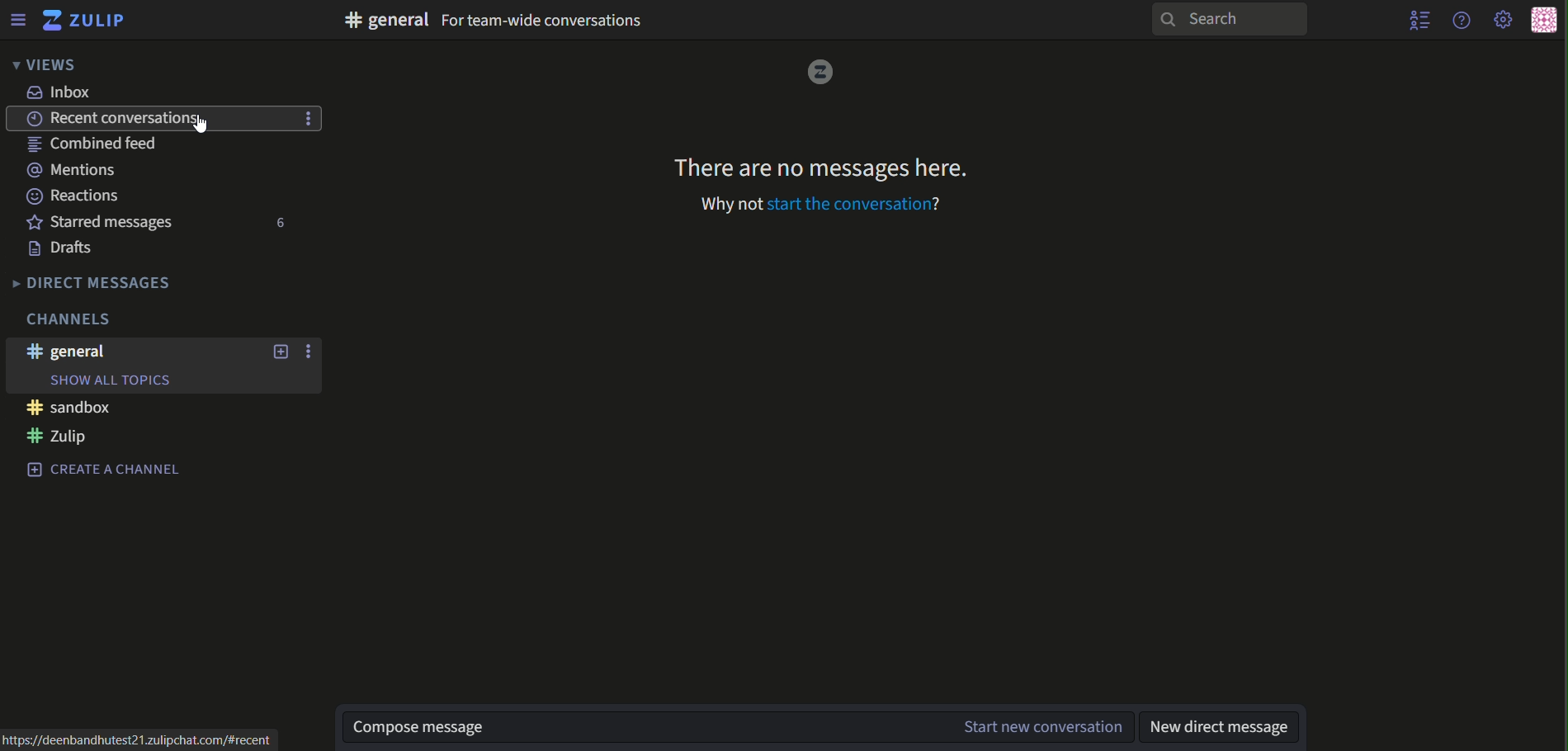 Image resolution: width=1568 pixels, height=751 pixels. I want to click on text, so click(63, 437).